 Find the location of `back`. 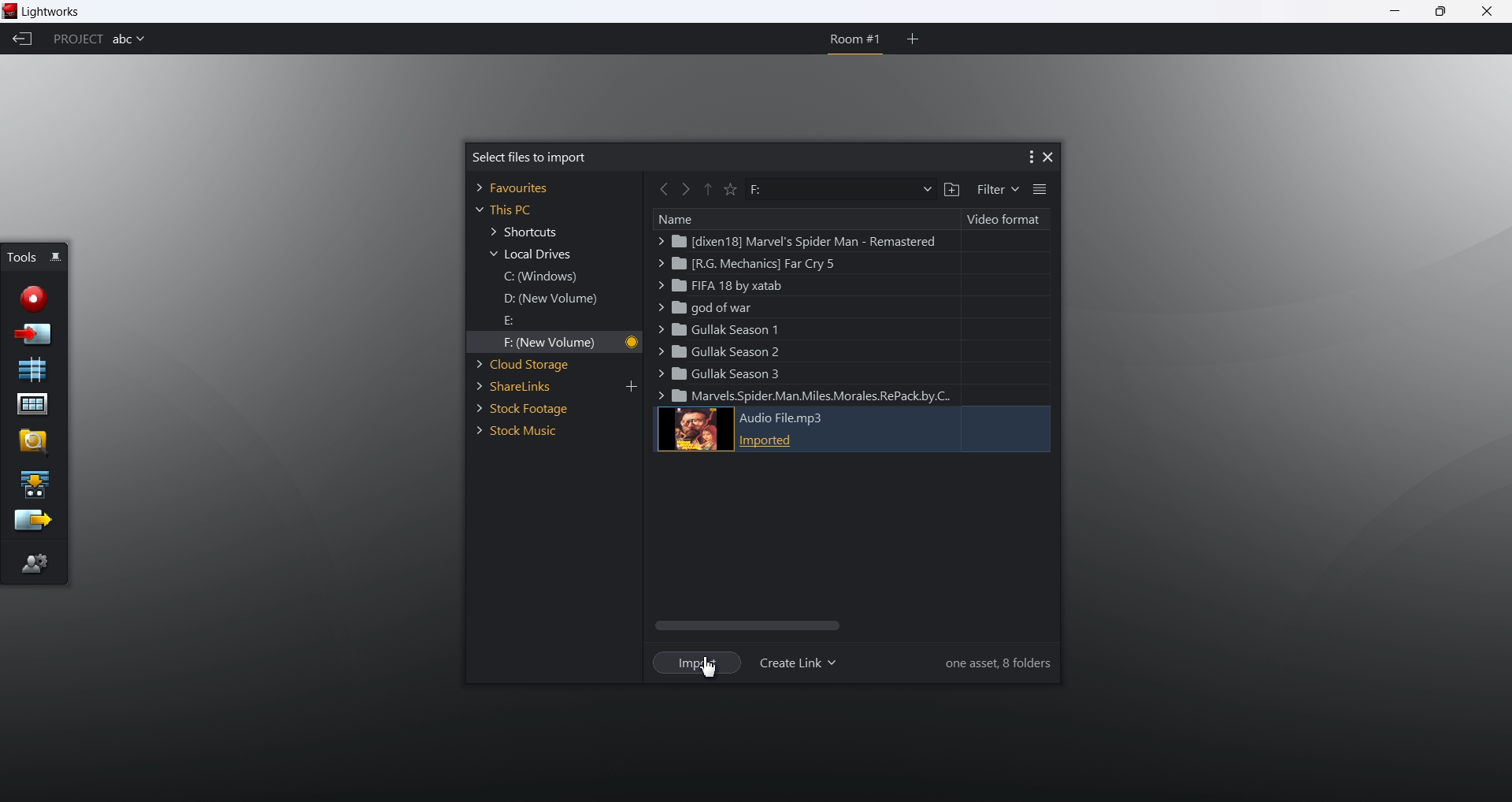

back is located at coordinates (24, 40).